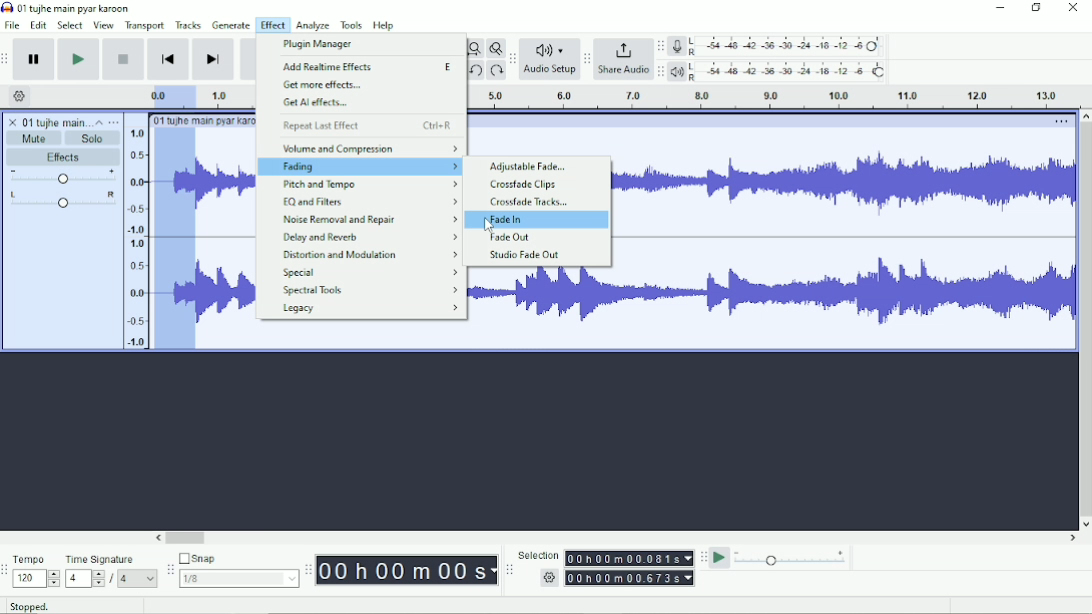 The image size is (1092, 614). Describe the element at coordinates (36, 559) in the screenshot. I see `Tempo` at that location.